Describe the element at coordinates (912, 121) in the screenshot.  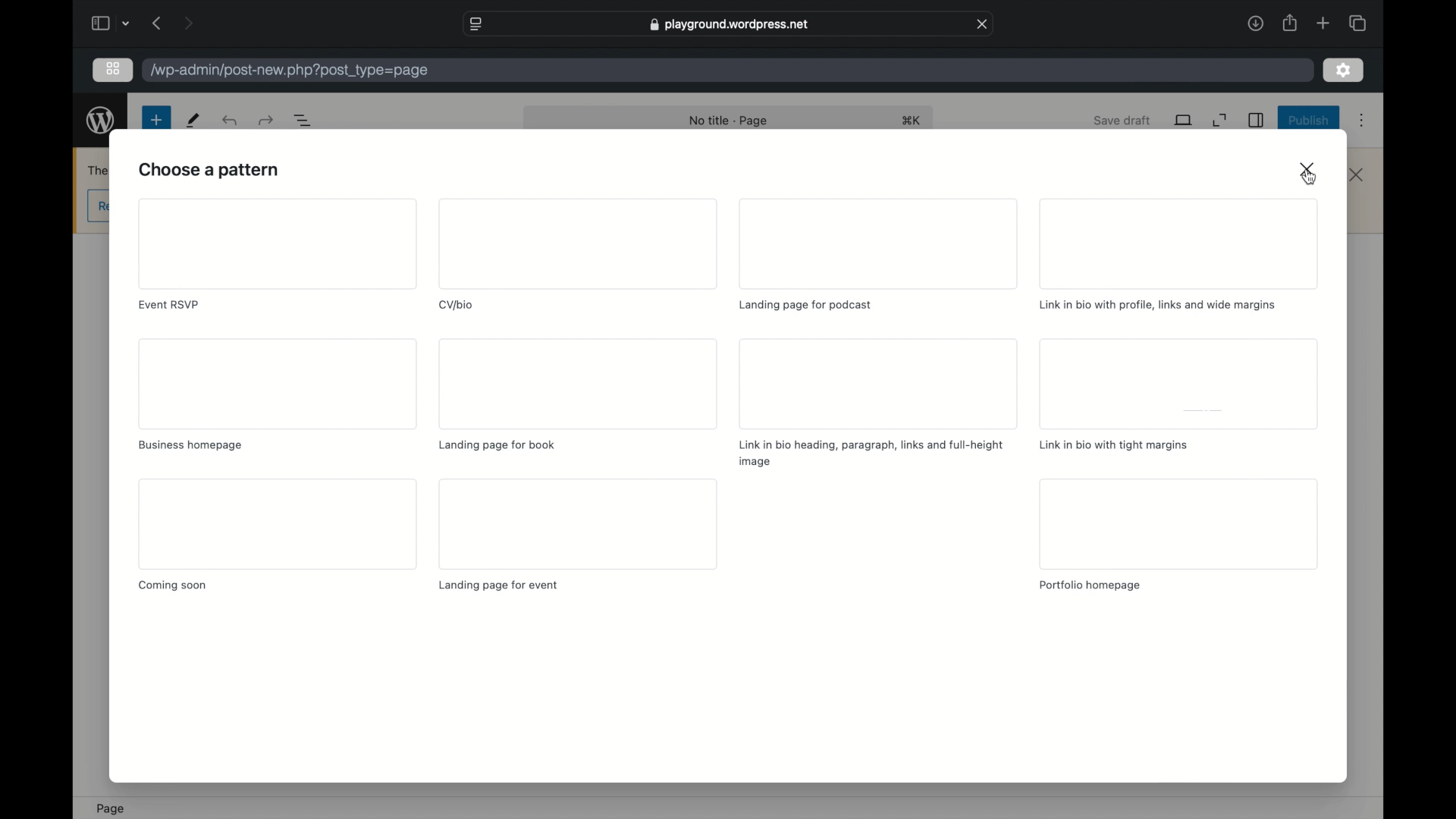
I see `shortcut` at that location.